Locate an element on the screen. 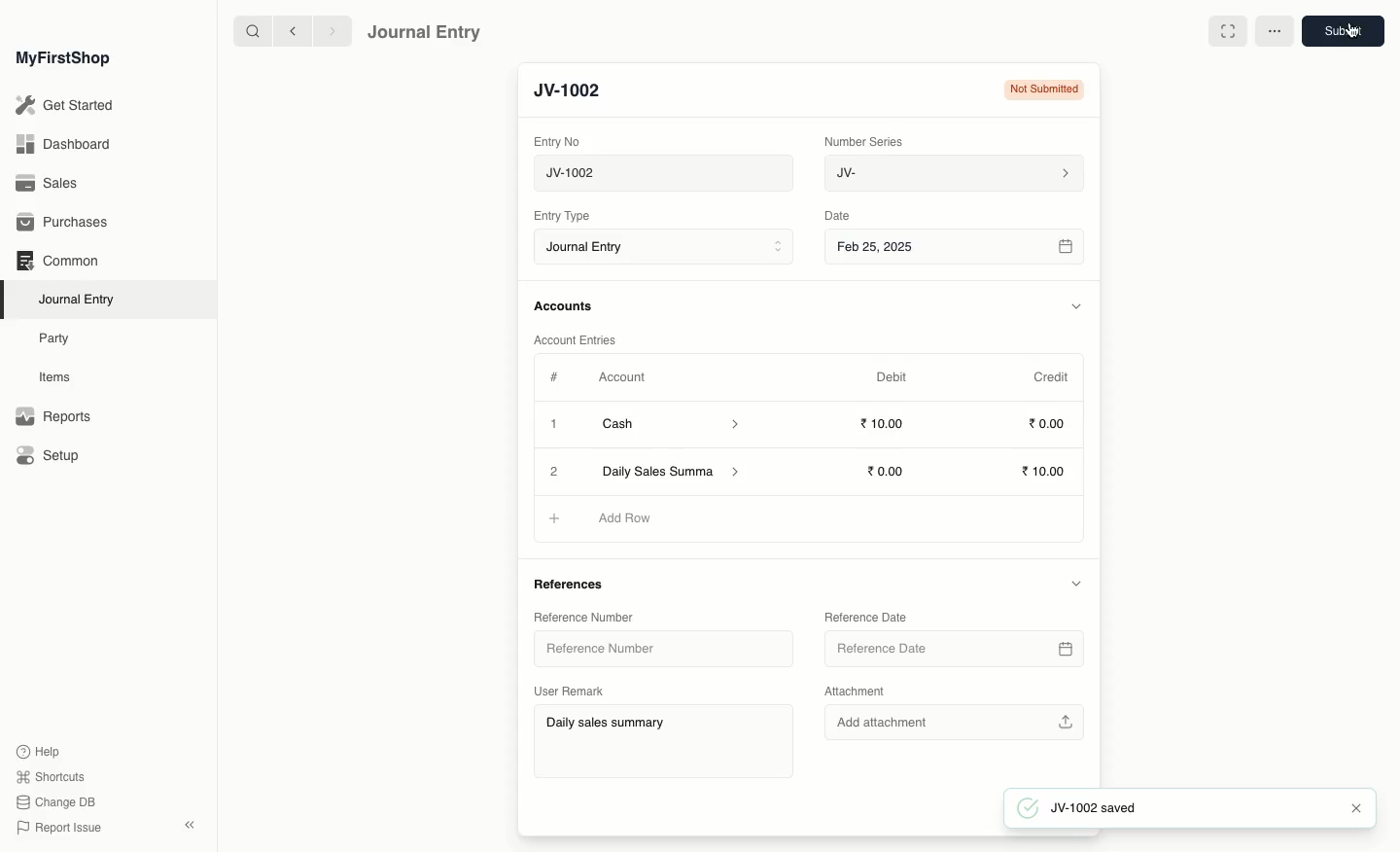 Image resolution: width=1400 pixels, height=852 pixels. 10.00 is located at coordinates (891, 471).